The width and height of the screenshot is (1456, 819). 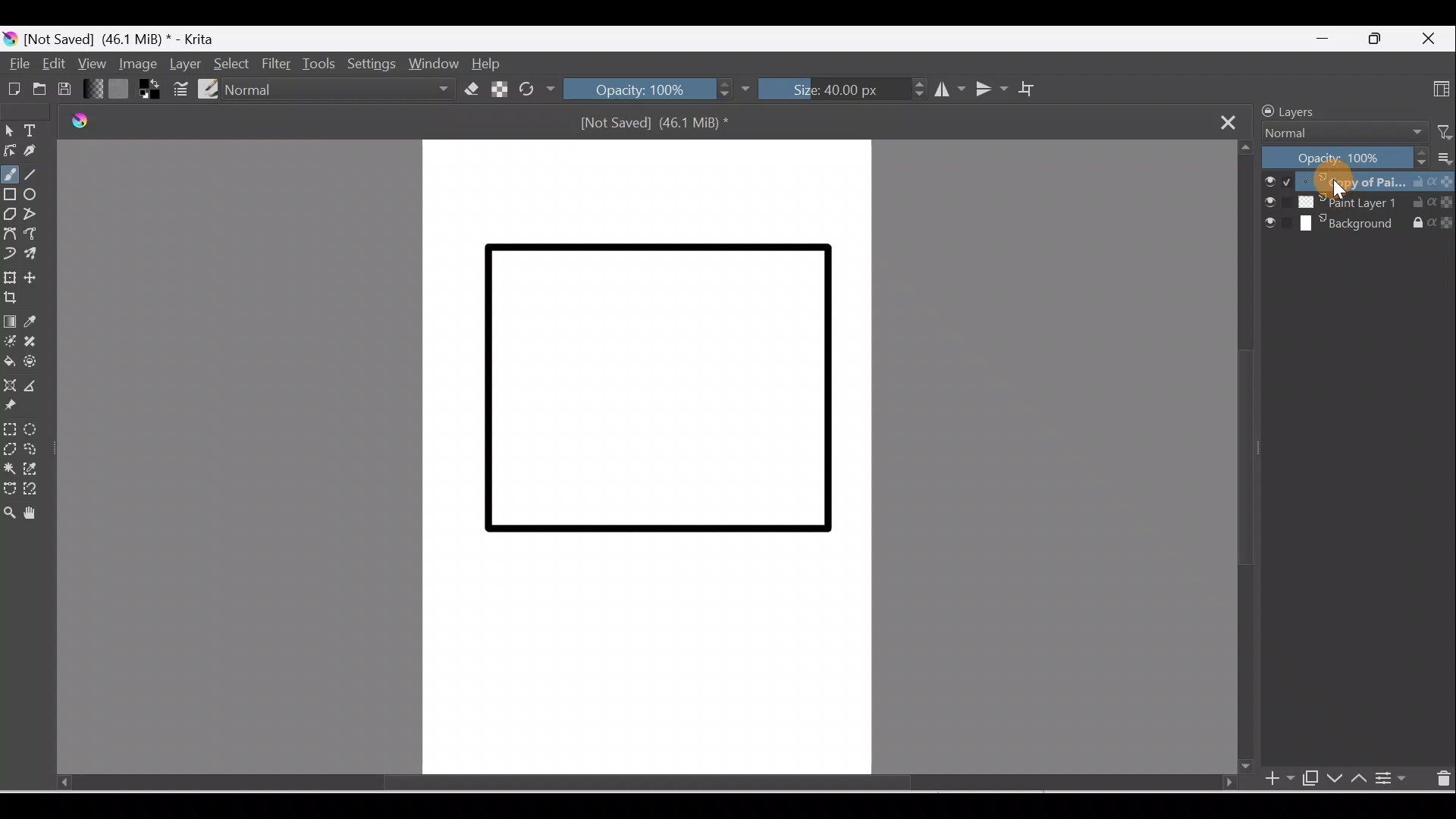 I want to click on Open existing document, so click(x=38, y=90).